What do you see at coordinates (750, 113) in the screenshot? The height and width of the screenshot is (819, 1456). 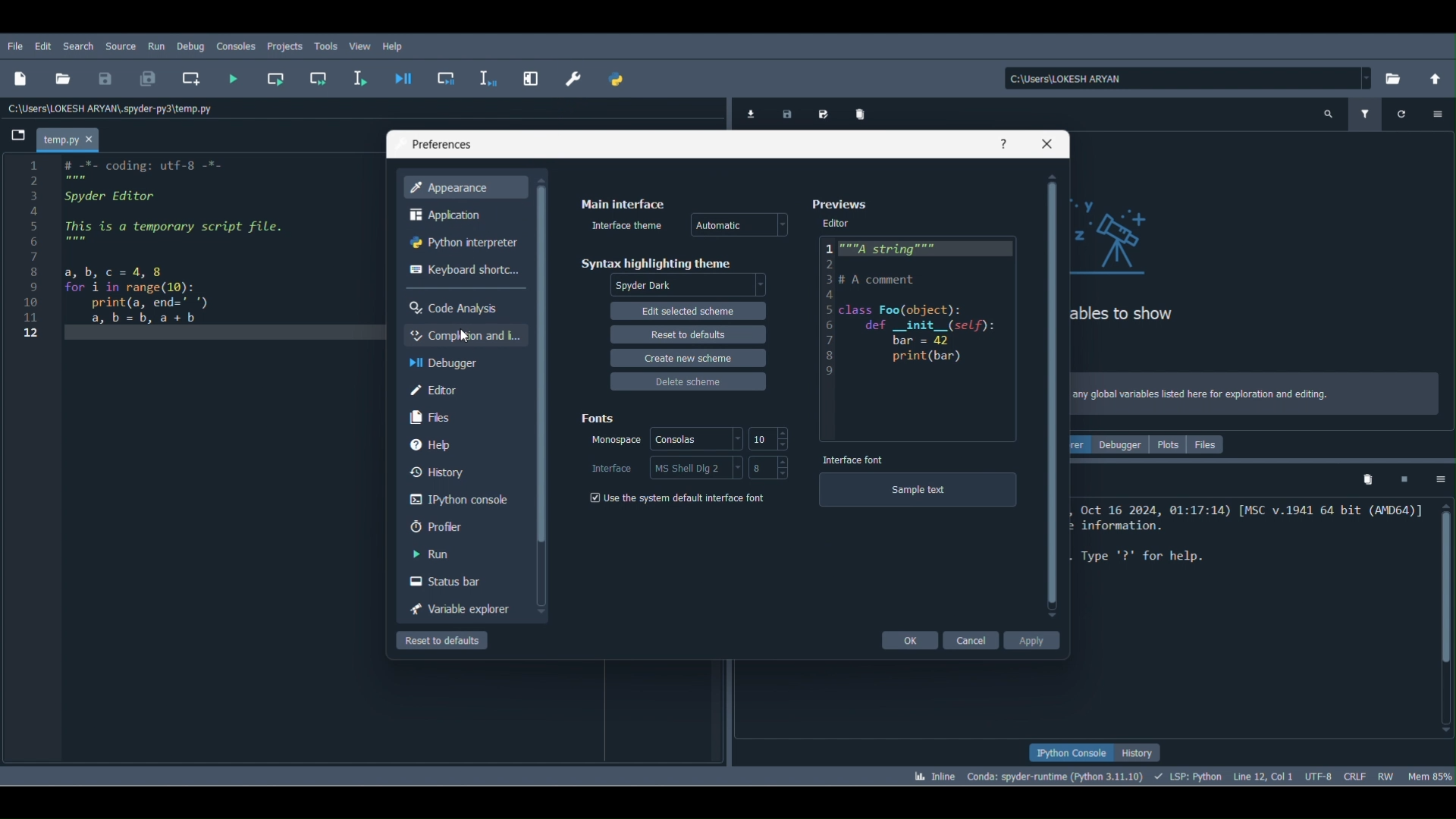 I see `Import data` at bounding box center [750, 113].